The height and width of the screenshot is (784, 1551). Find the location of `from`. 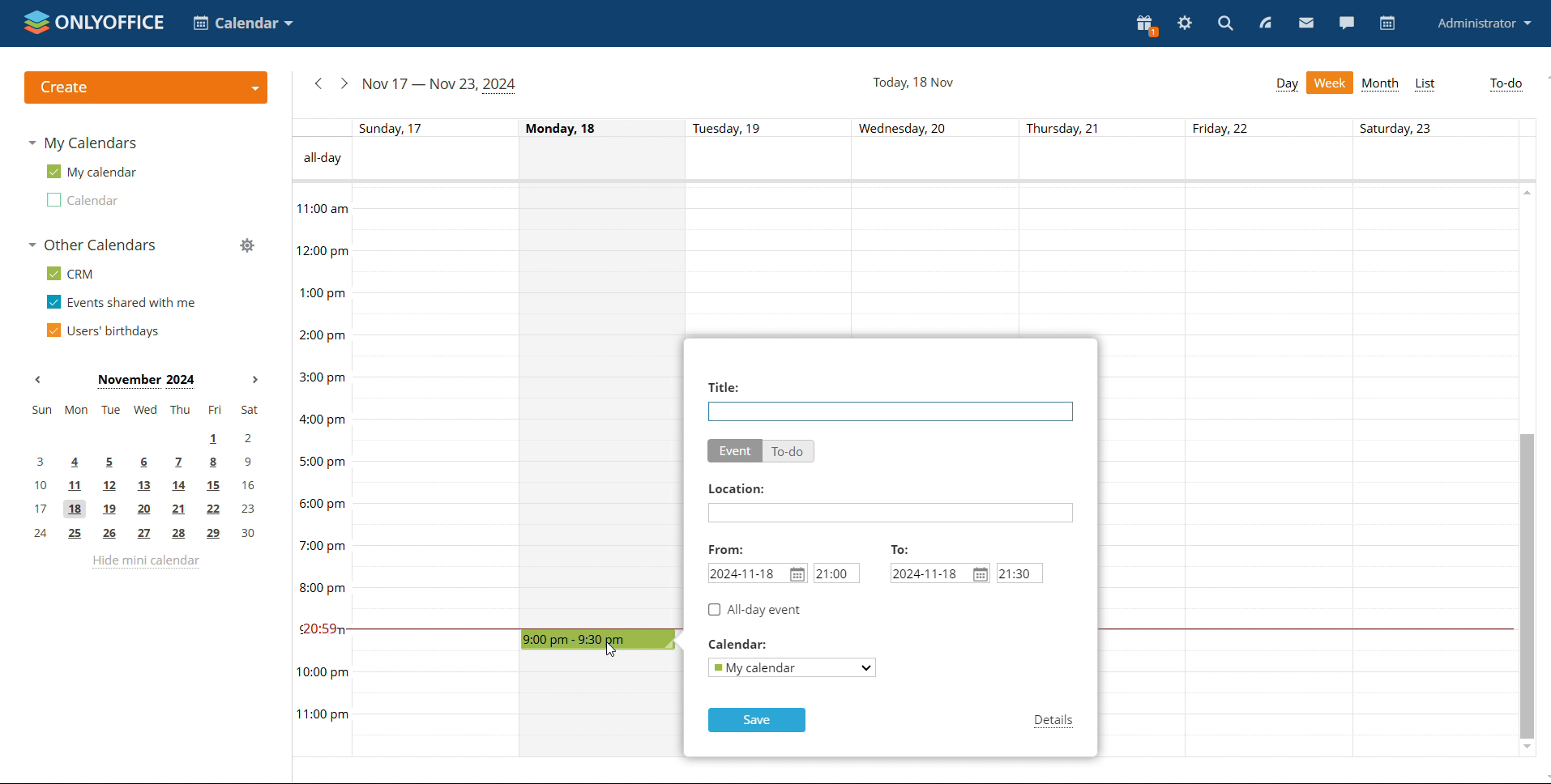

from is located at coordinates (728, 548).